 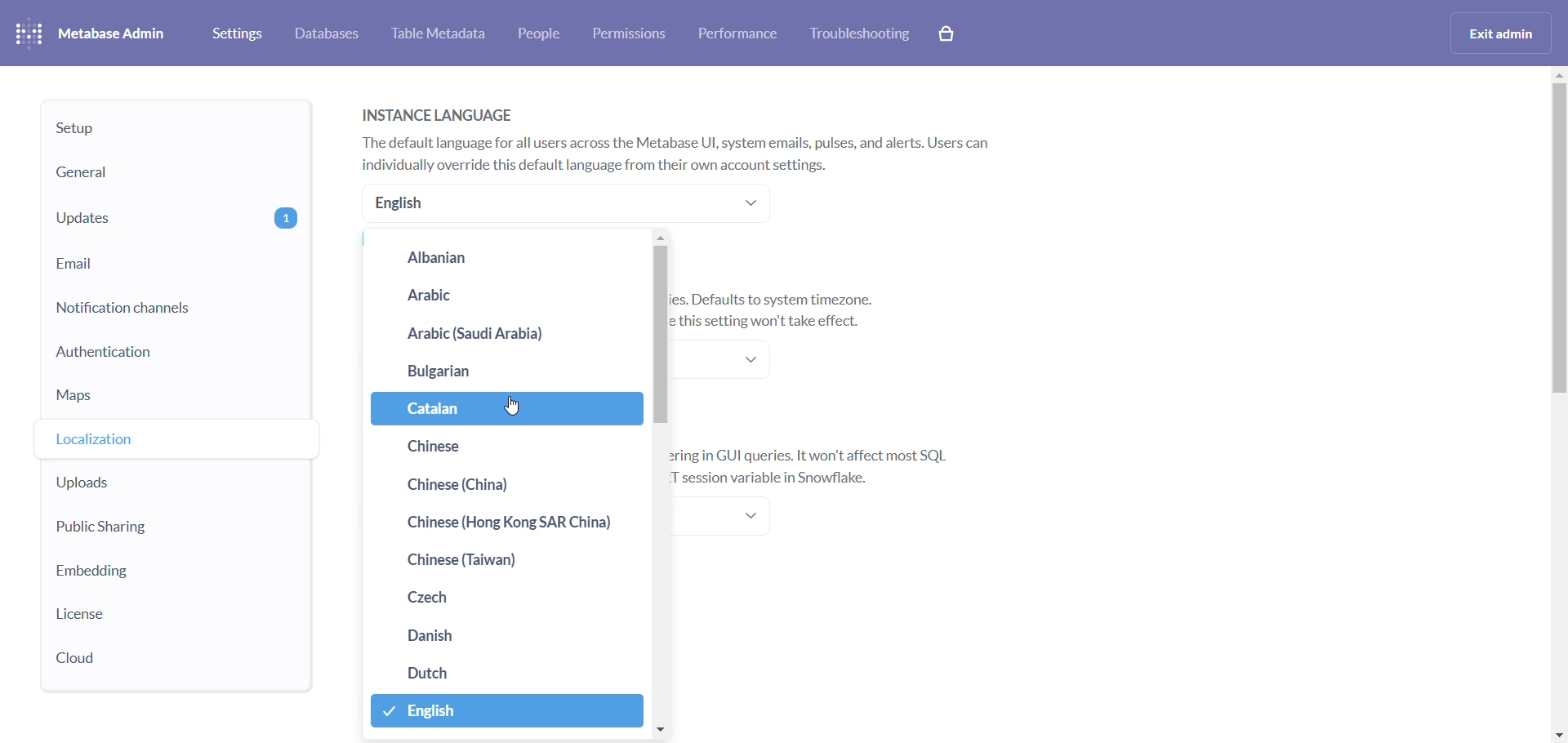 I want to click on databases, so click(x=325, y=33).